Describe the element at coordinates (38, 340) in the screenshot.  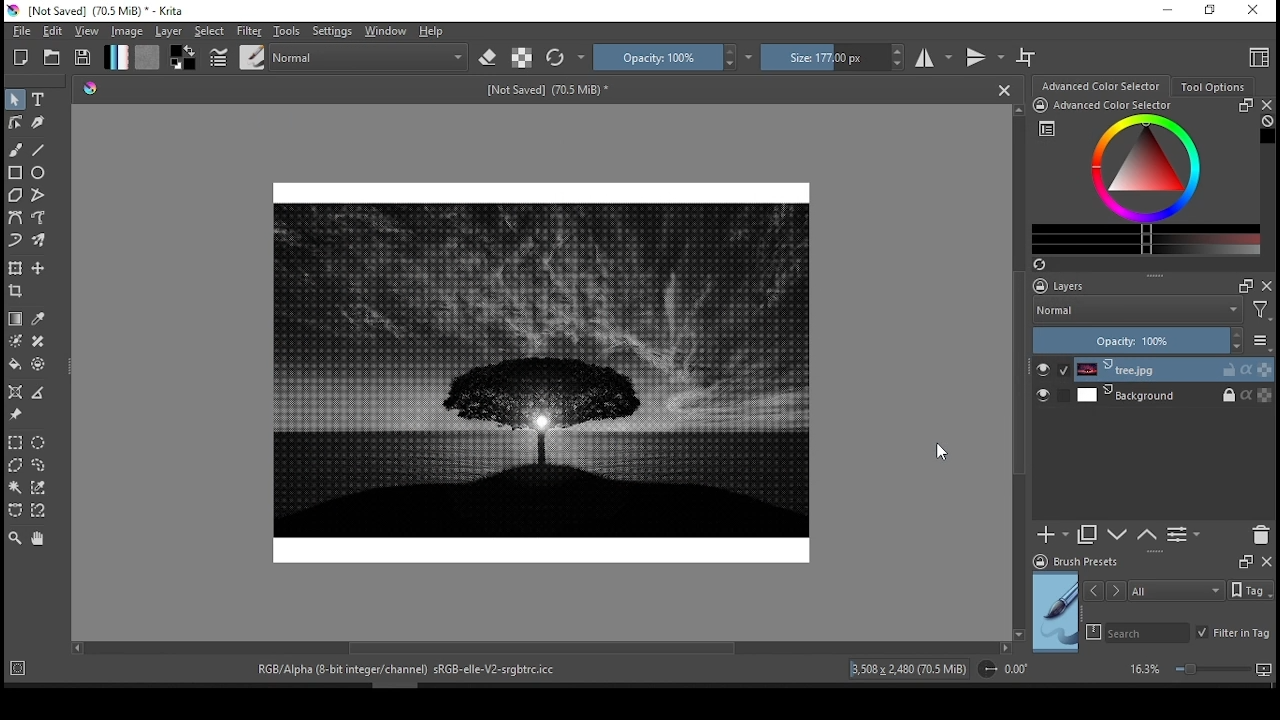
I see `smart patch tool` at that location.